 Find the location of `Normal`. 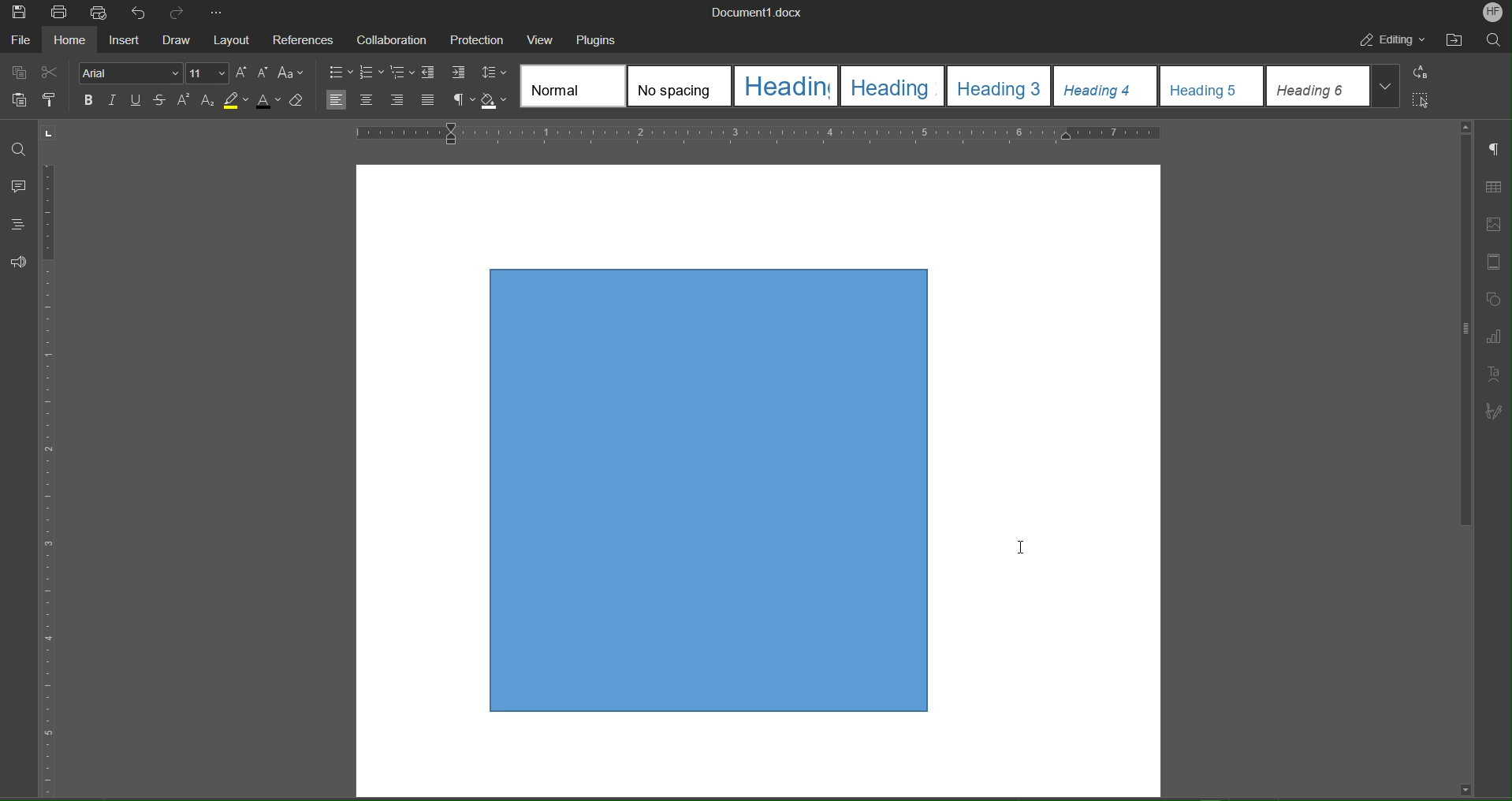

Normal is located at coordinates (572, 84).